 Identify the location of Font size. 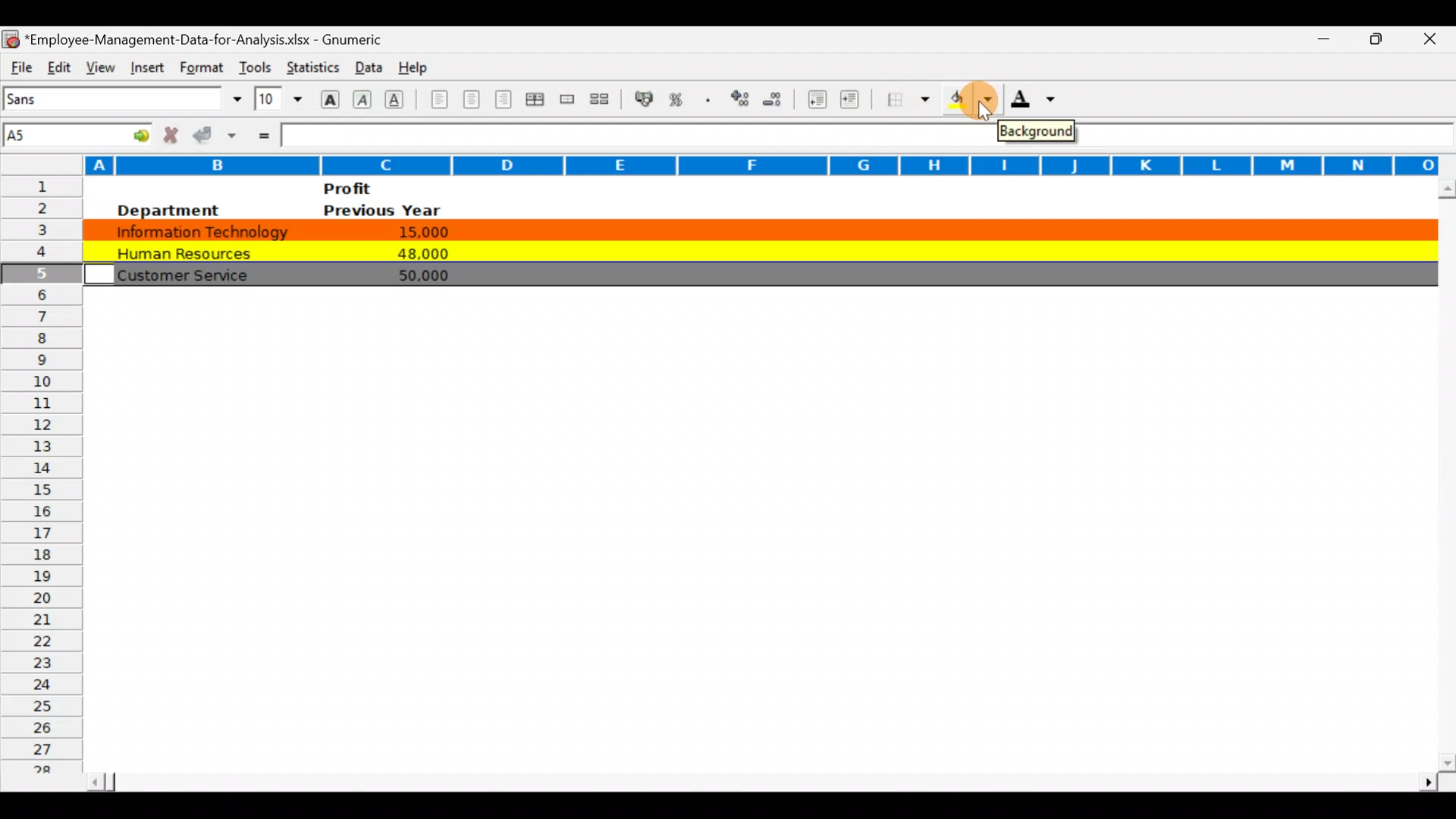
(278, 99).